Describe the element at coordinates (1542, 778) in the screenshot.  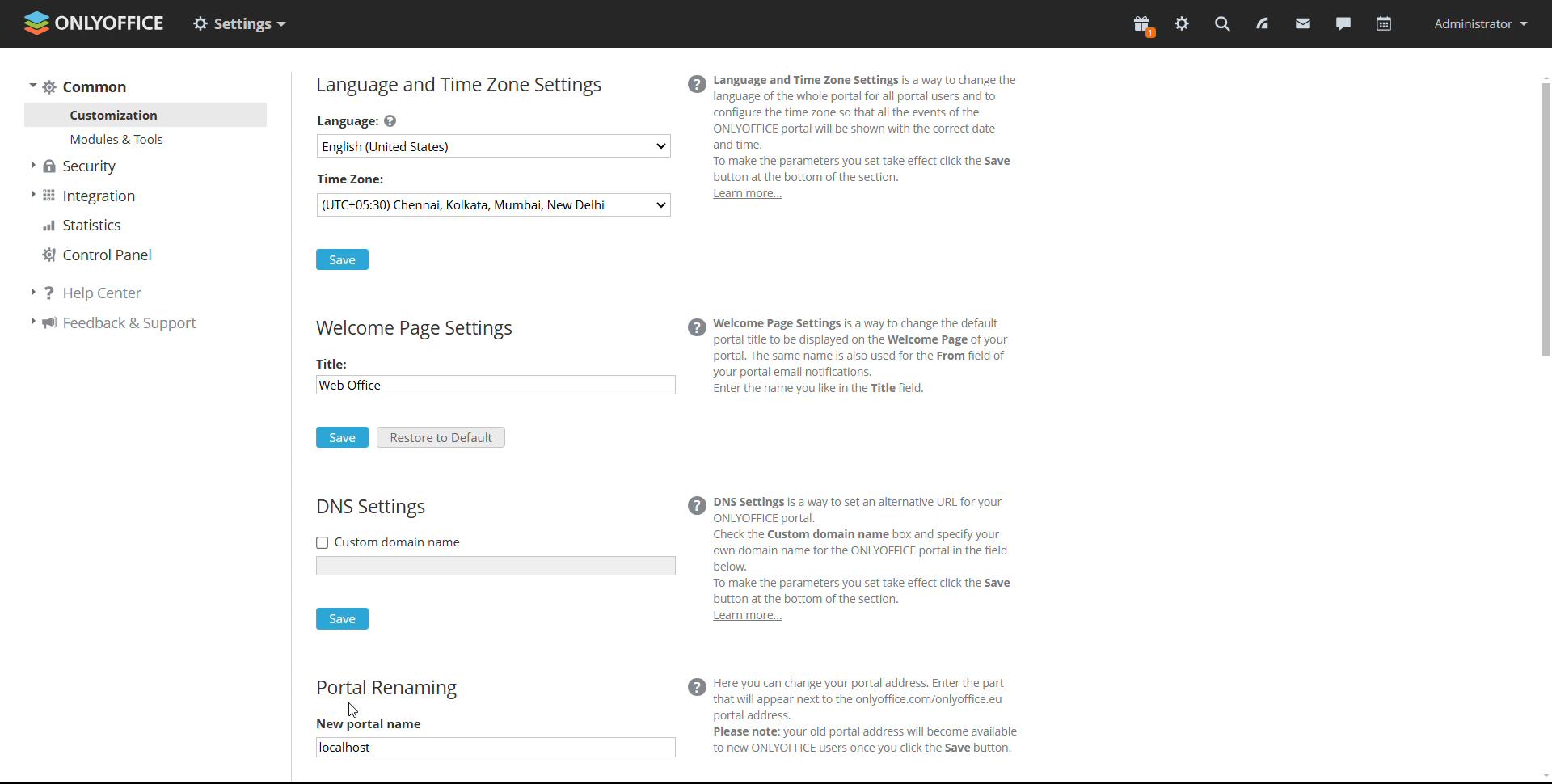
I see `scroll down` at that location.